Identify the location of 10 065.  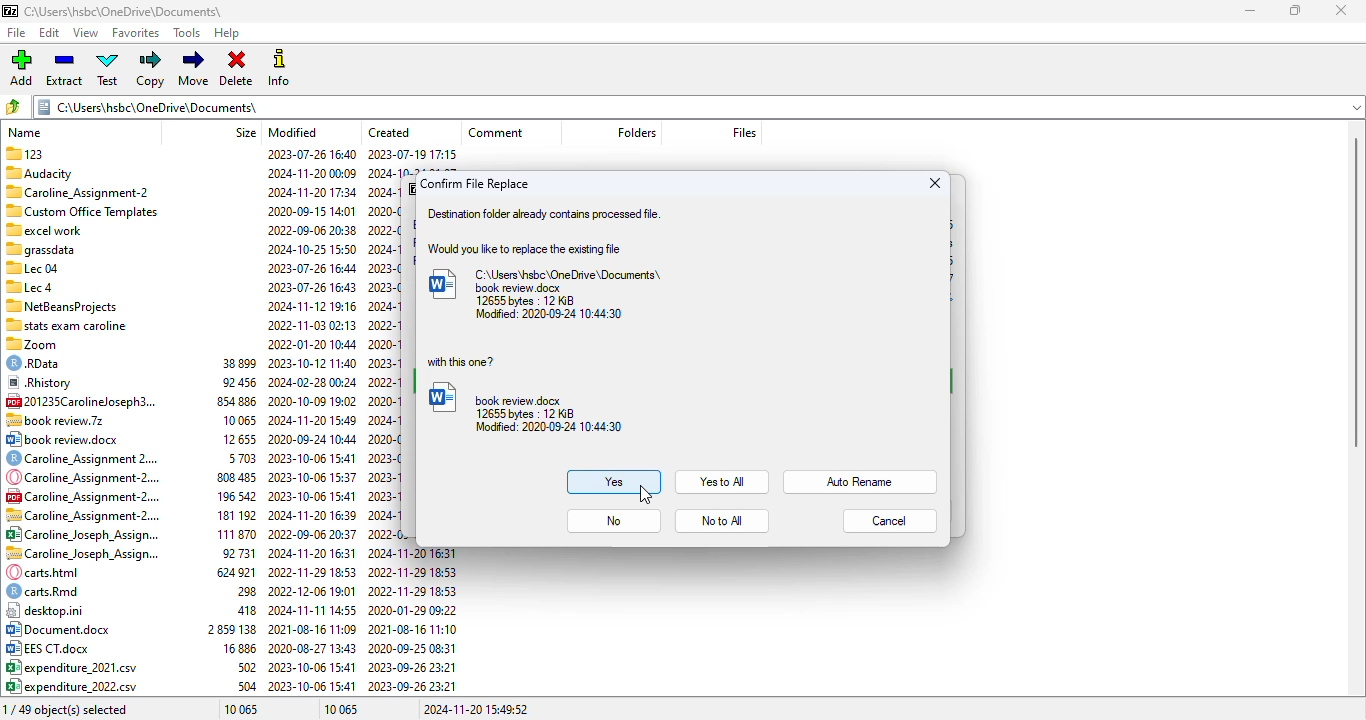
(342, 709).